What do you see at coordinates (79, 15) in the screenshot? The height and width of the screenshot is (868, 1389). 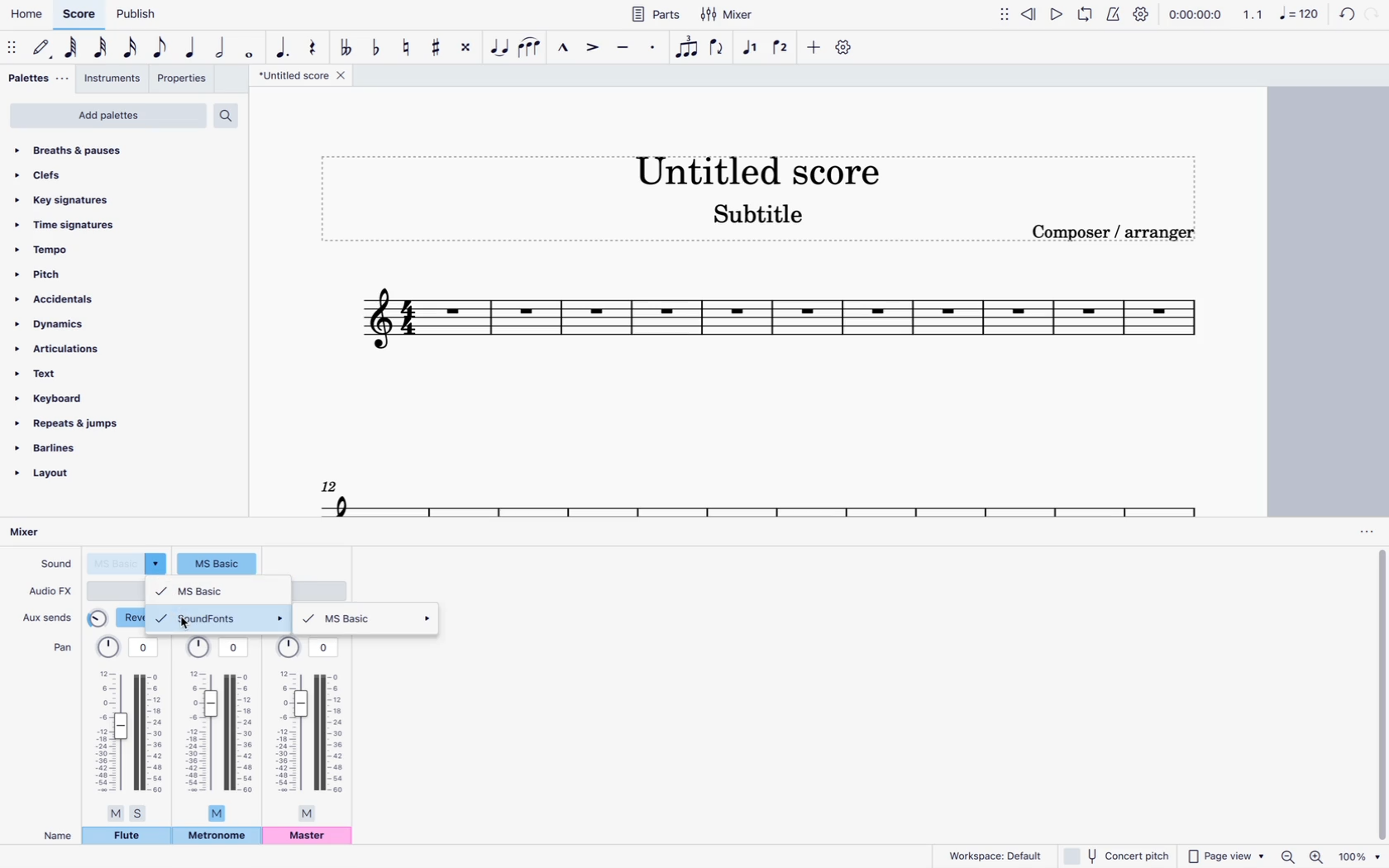 I see `score` at bounding box center [79, 15].